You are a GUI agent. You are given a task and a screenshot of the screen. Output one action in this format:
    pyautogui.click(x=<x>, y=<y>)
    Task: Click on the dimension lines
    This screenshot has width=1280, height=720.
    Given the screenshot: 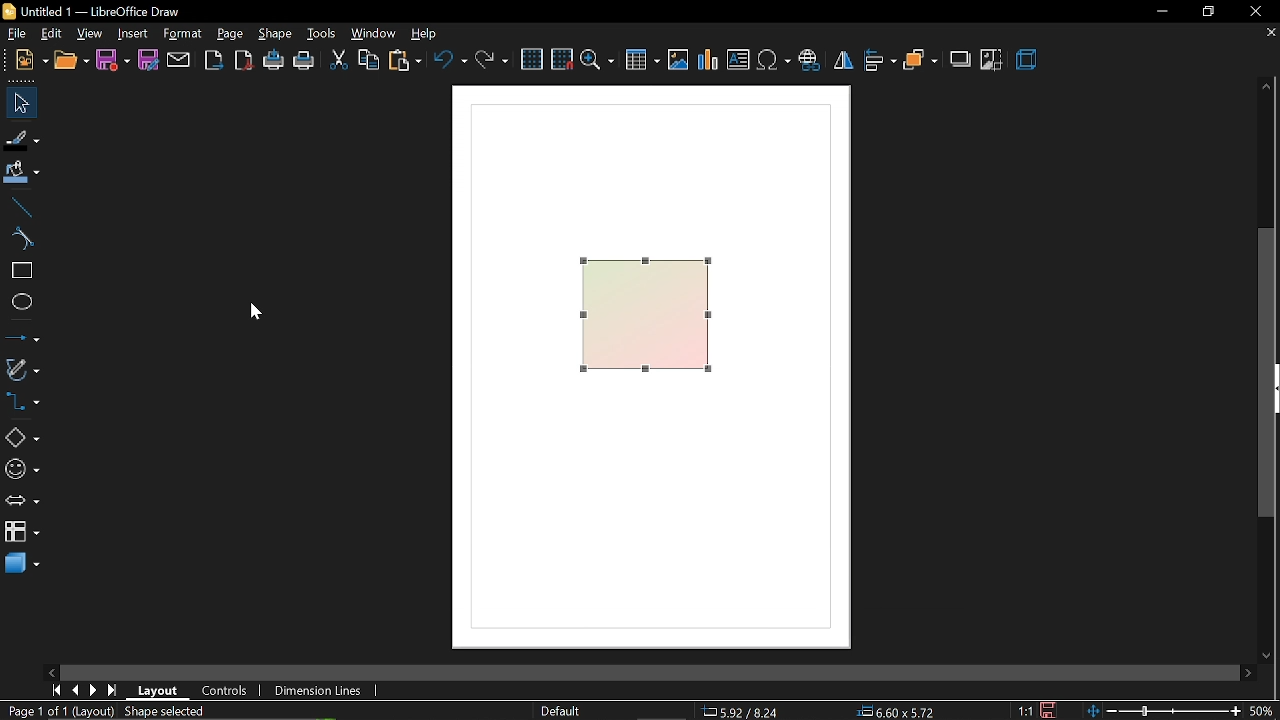 What is the action you would take?
    pyautogui.click(x=318, y=690)
    